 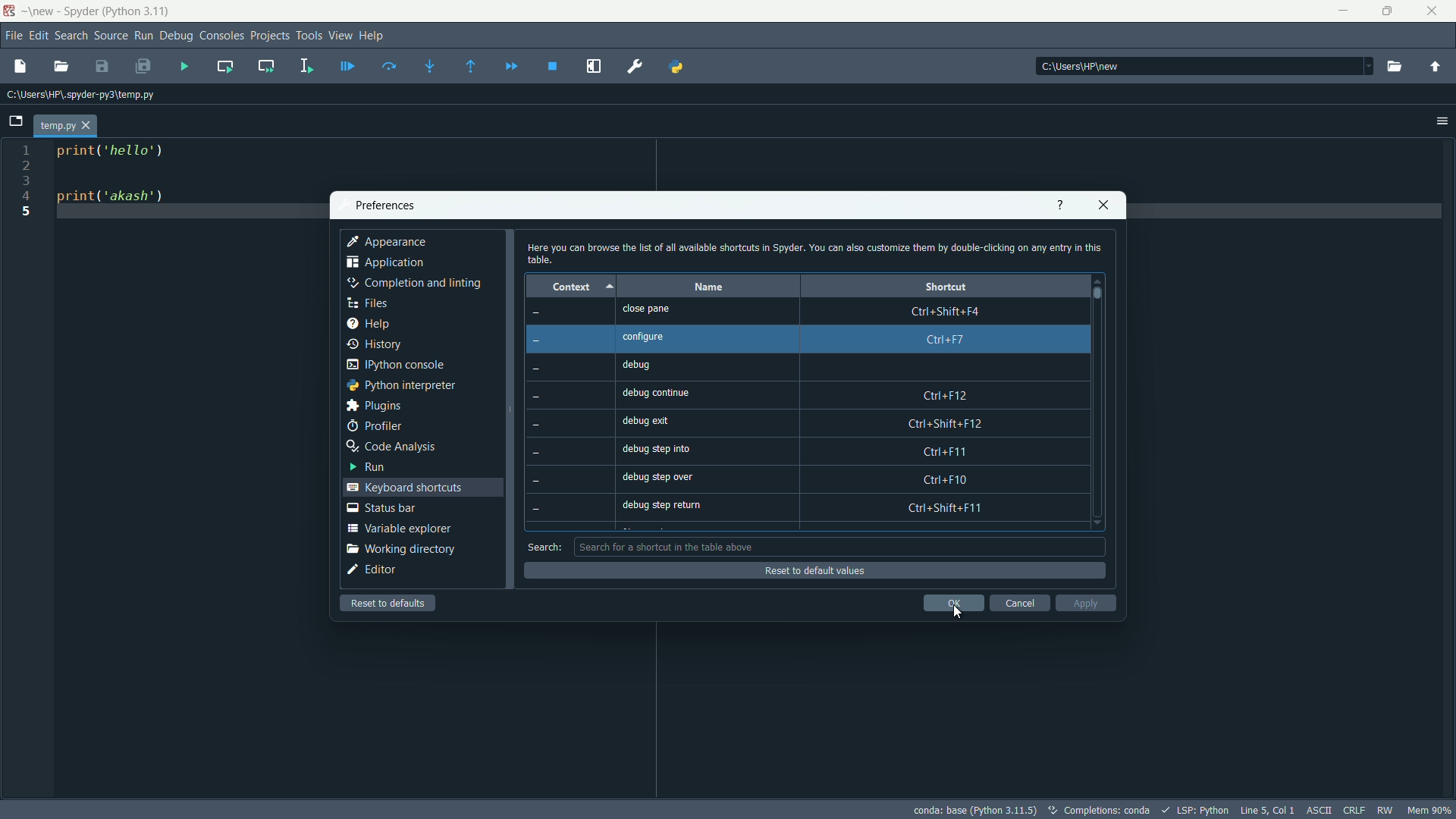 What do you see at coordinates (20, 67) in the screenshot?
I see `new file` at bounding box center [20, 67].